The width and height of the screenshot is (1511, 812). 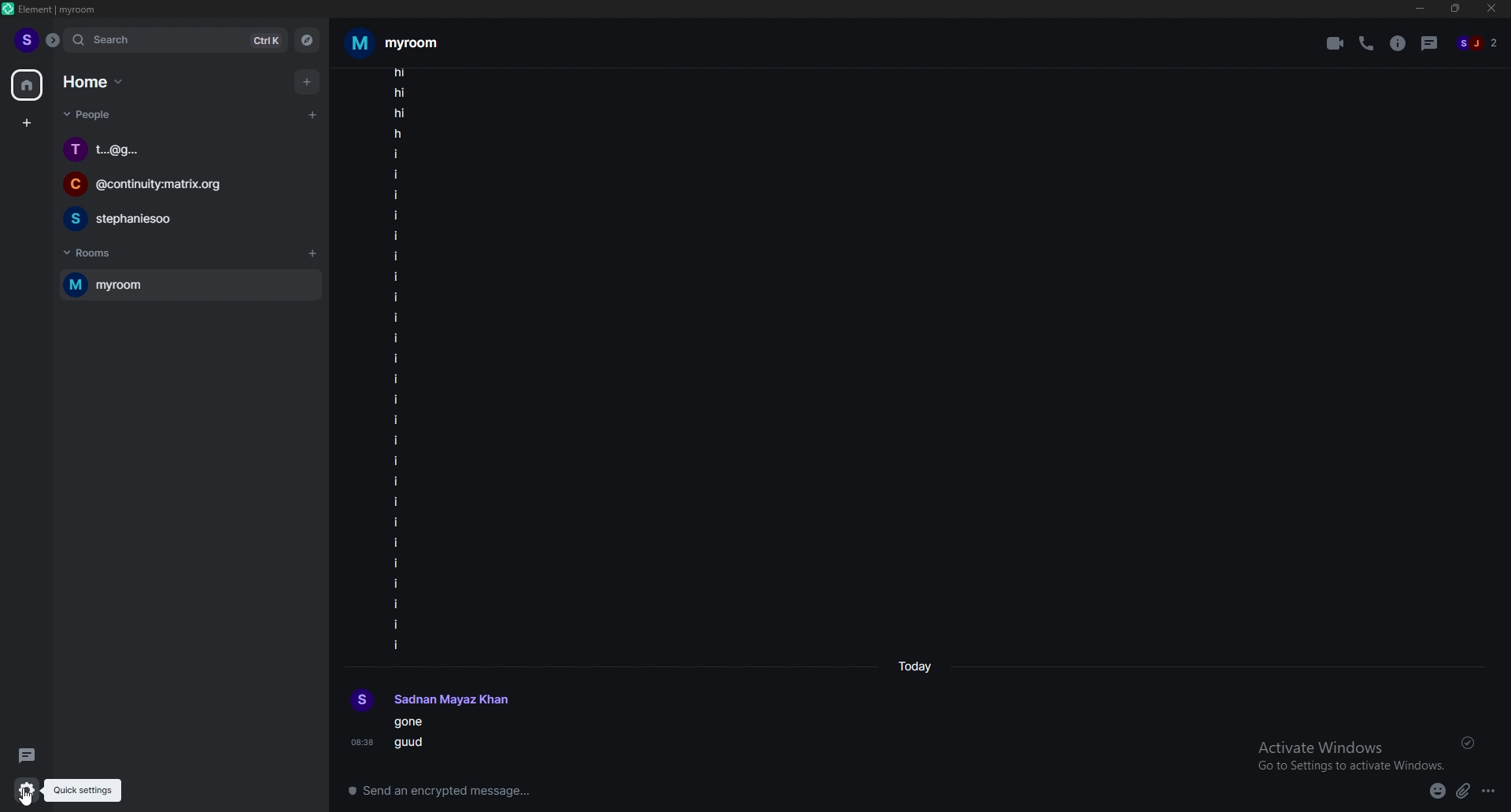 What do you see at coordinates (28, 86) in the screenshot?
I see `home` at bounding box center [28, 86].